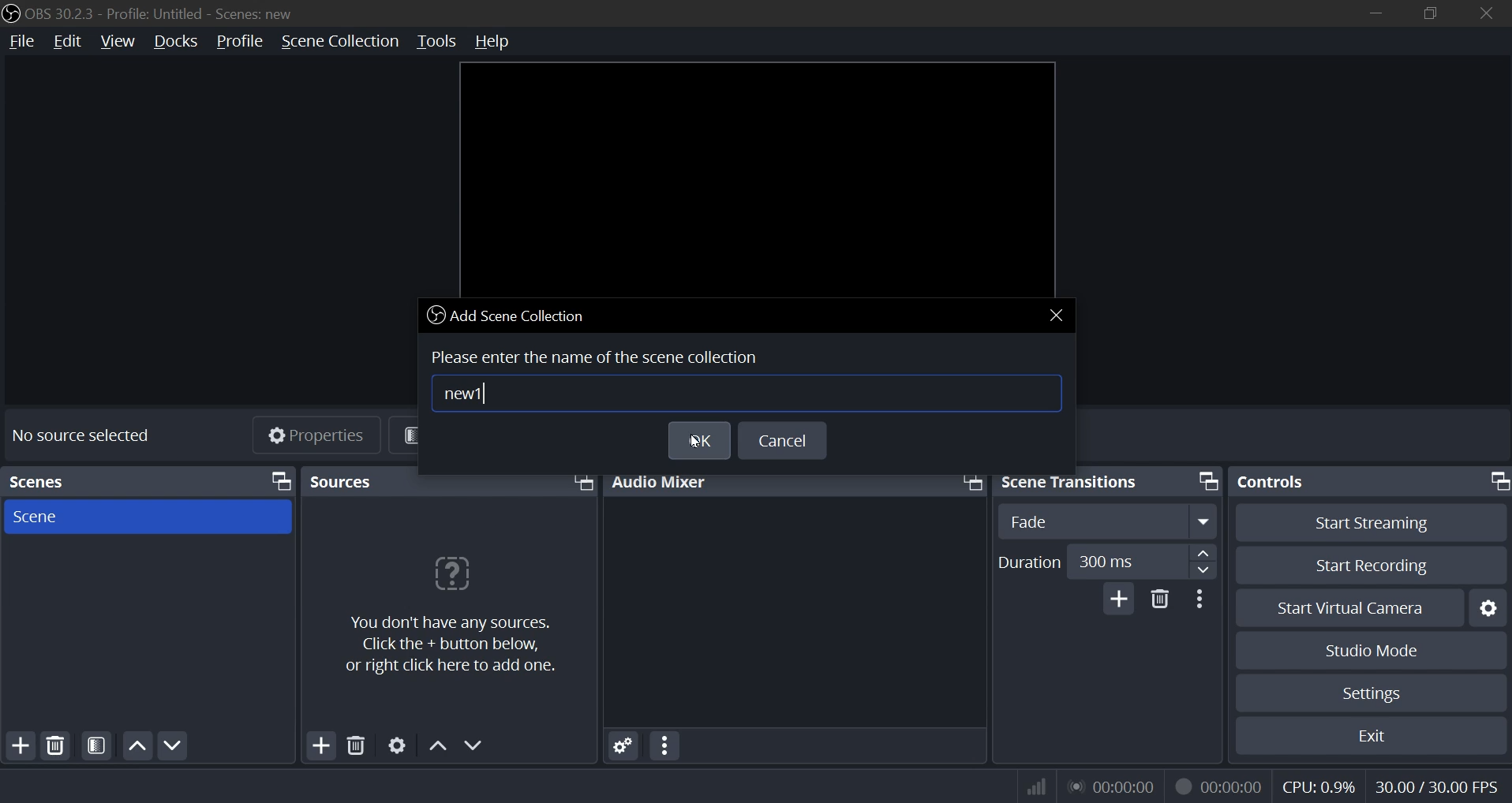 The height and width of the screenshot is (803, 1512). Describe the element at coordinates (175, 43) in the screenshot. I see `docks` at that location.